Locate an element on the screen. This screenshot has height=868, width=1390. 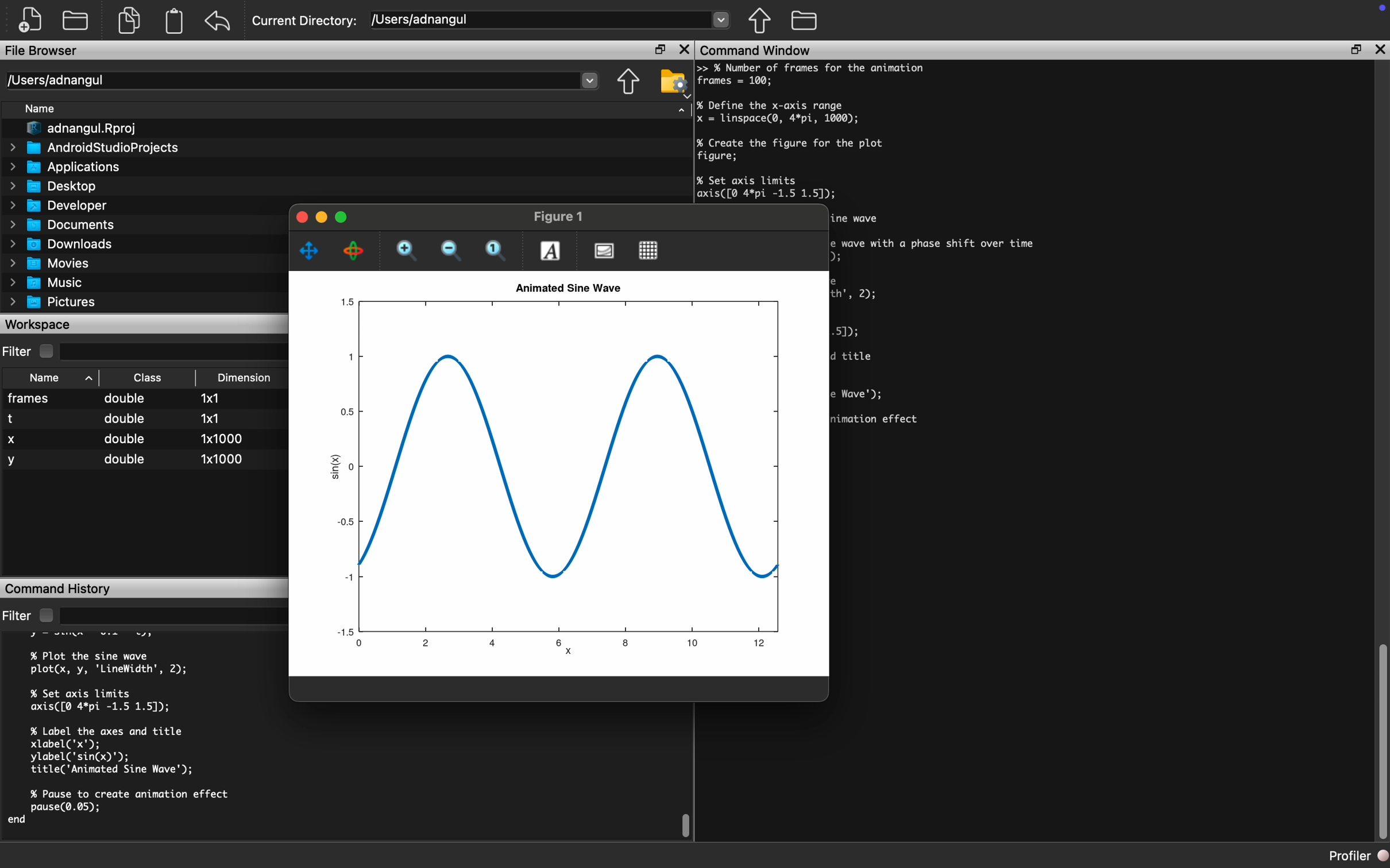
Dropdown is located at coordinates (173, 617).